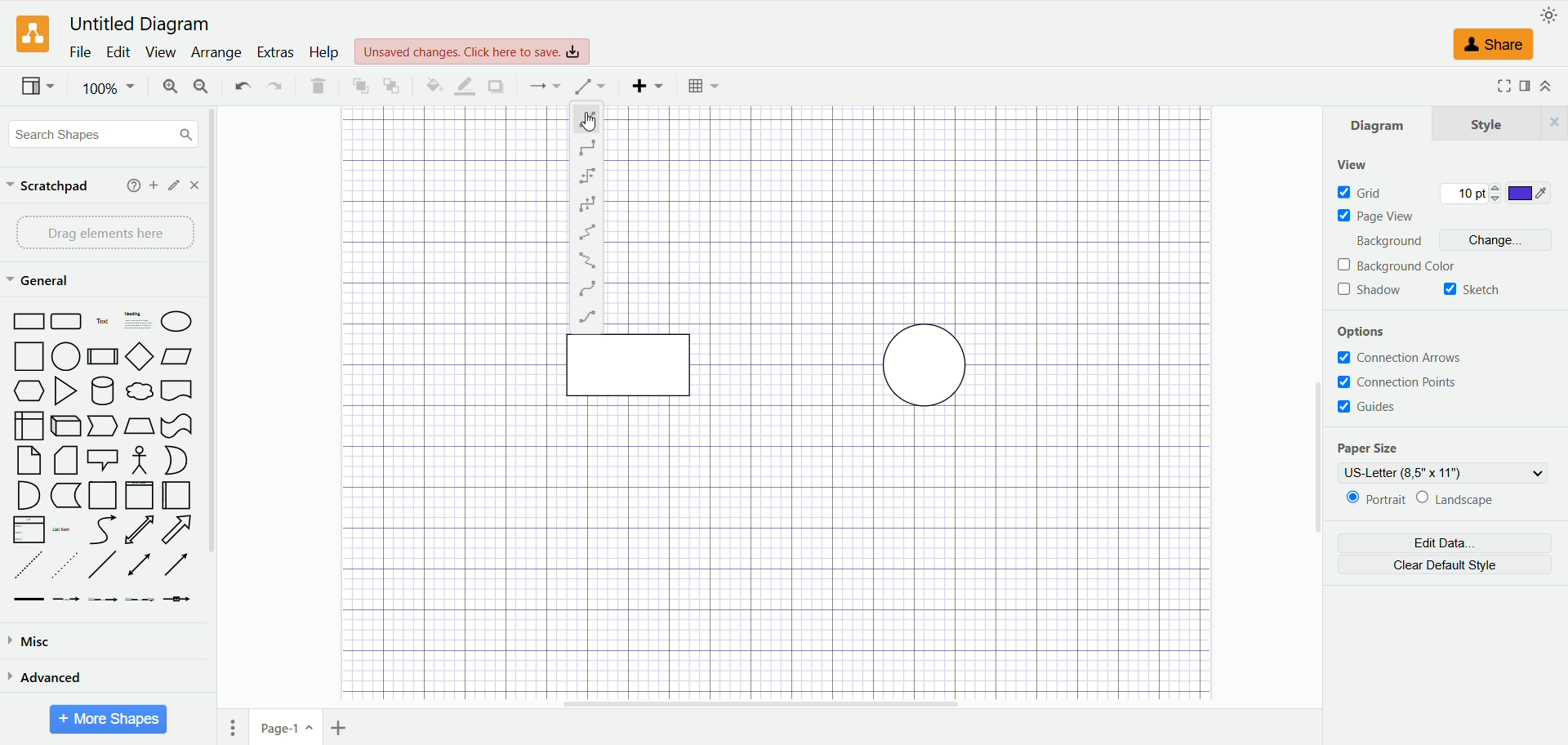 This screenshot has height=745, width=1568. What do you see at coordinates (1370, 448) in the screenshot?
I see `paper size` at bounding box center [1370, 448].